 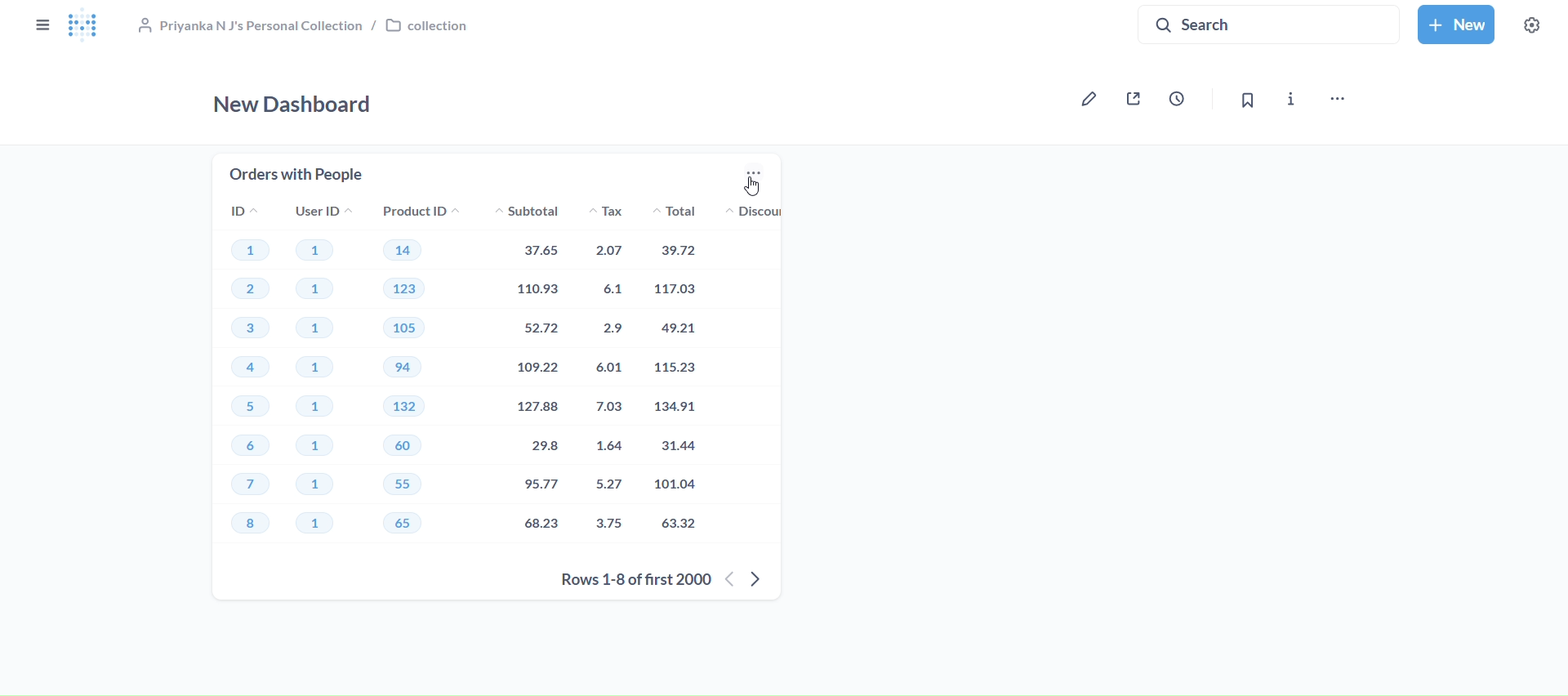 What do you see at coordinates (292, 104) in the screenshot?
I see `new dashboard` at bounding box center [292, 104].